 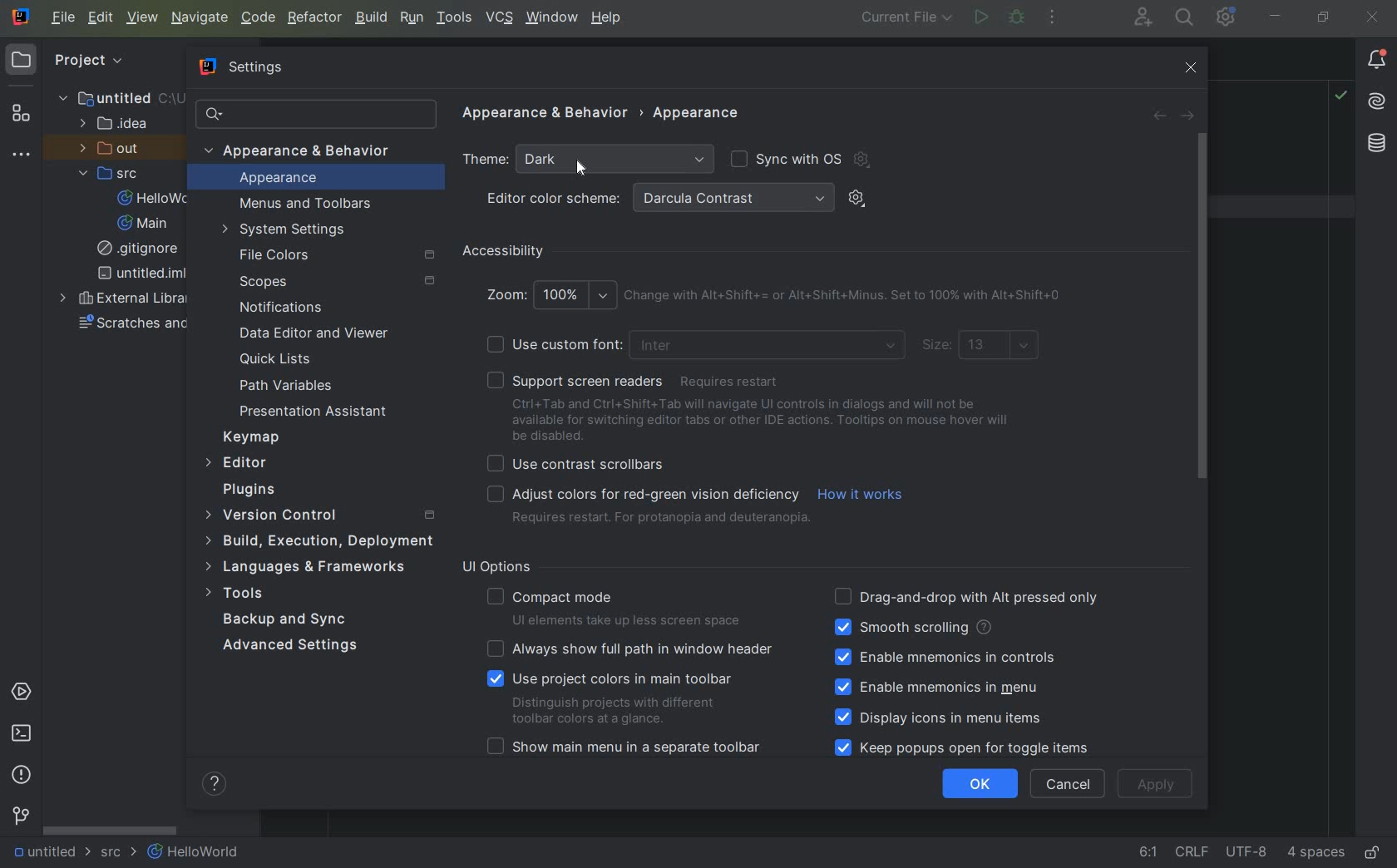 What do you see at coordinates (608, 18) in the screenshot?
I see `HELP` at bounding box center [608, 18].